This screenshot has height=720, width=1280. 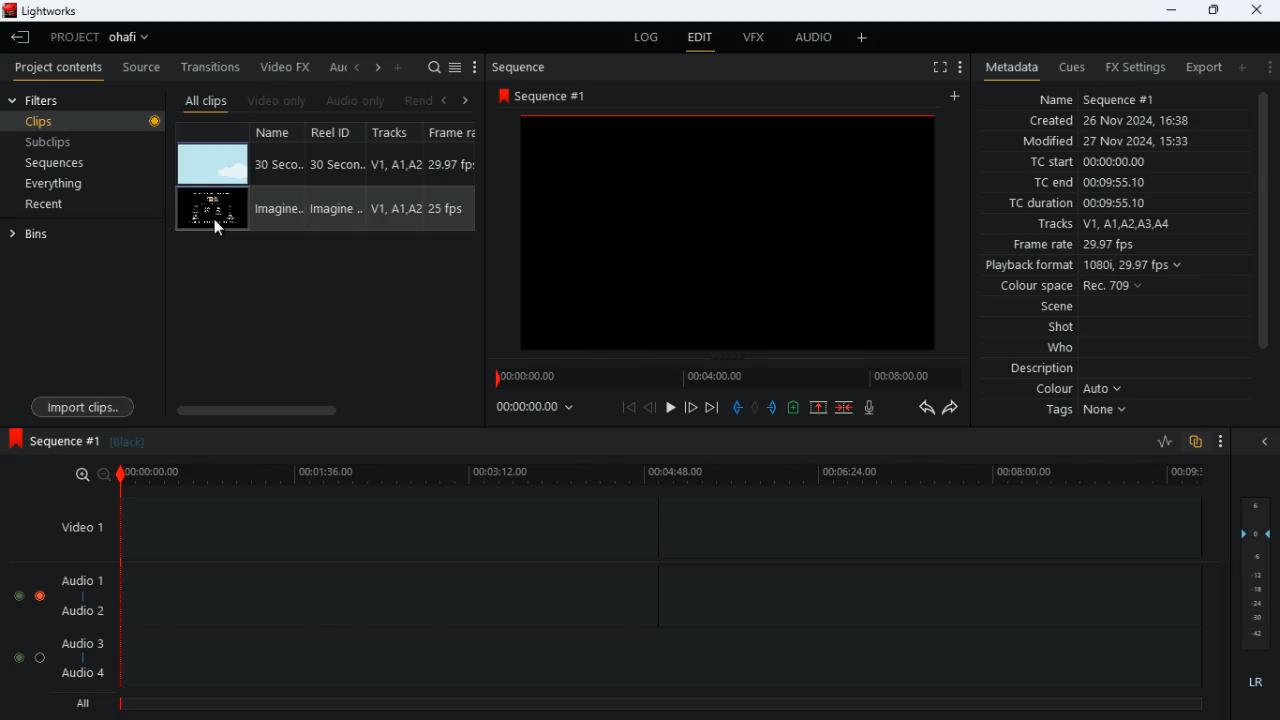 I want to click on colour space, so click(x=1078, y=285).